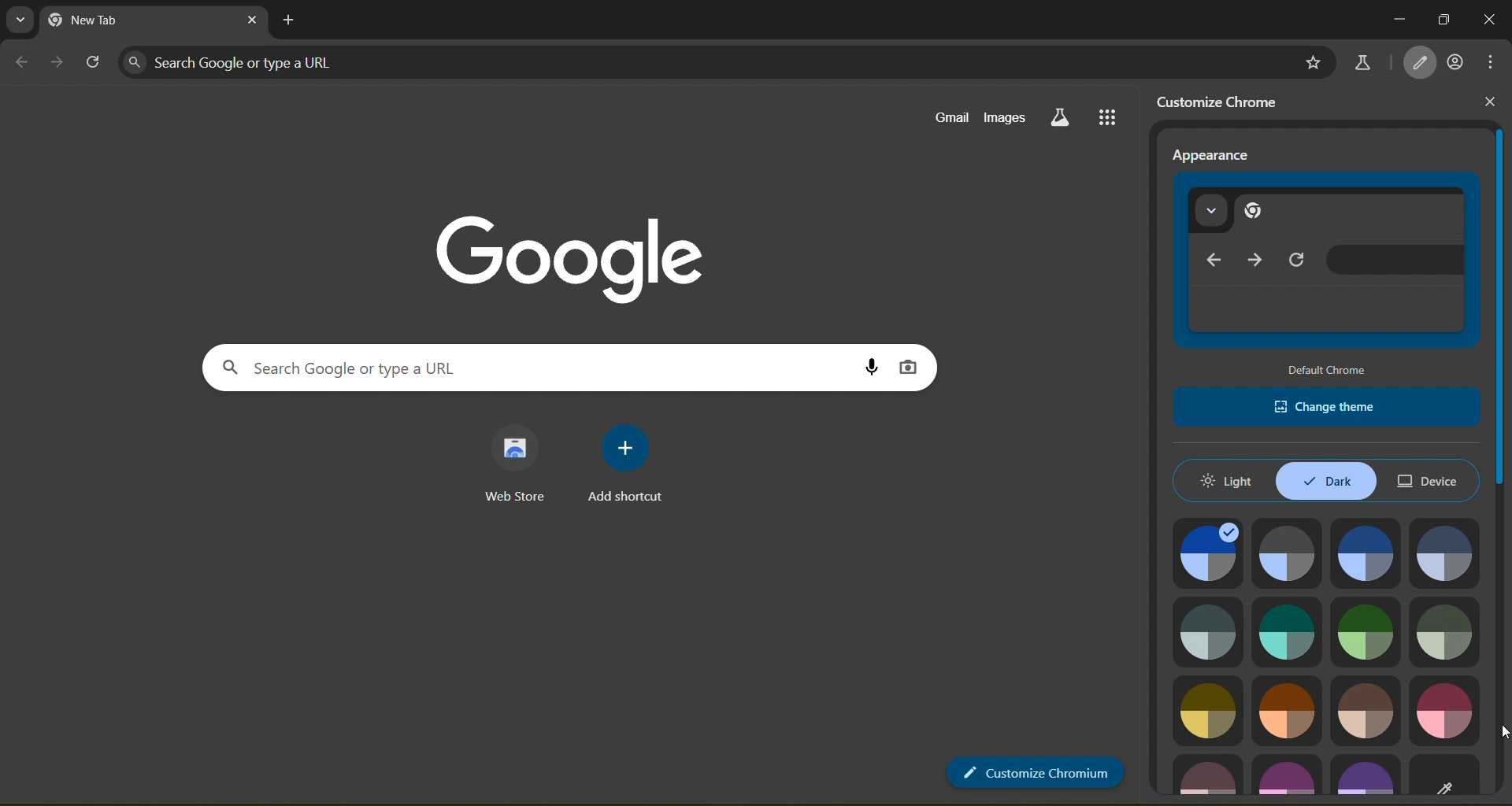  Describe the element at coordinates (869, 363) in the screenshot. I see `voice search` at that location.